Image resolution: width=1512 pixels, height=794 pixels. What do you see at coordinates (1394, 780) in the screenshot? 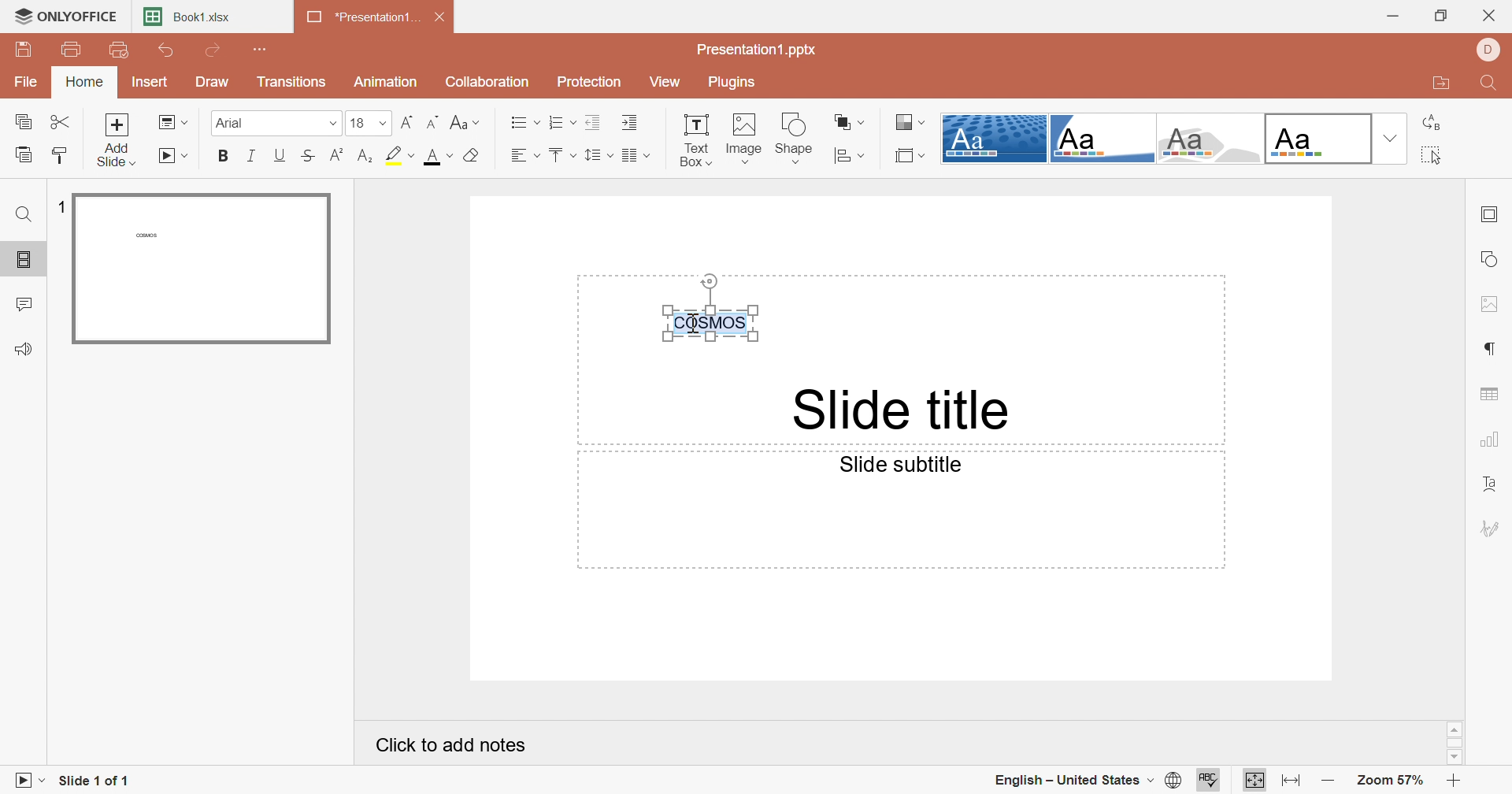
I see `Zoom 57%` at bounding box center [1394, 780].